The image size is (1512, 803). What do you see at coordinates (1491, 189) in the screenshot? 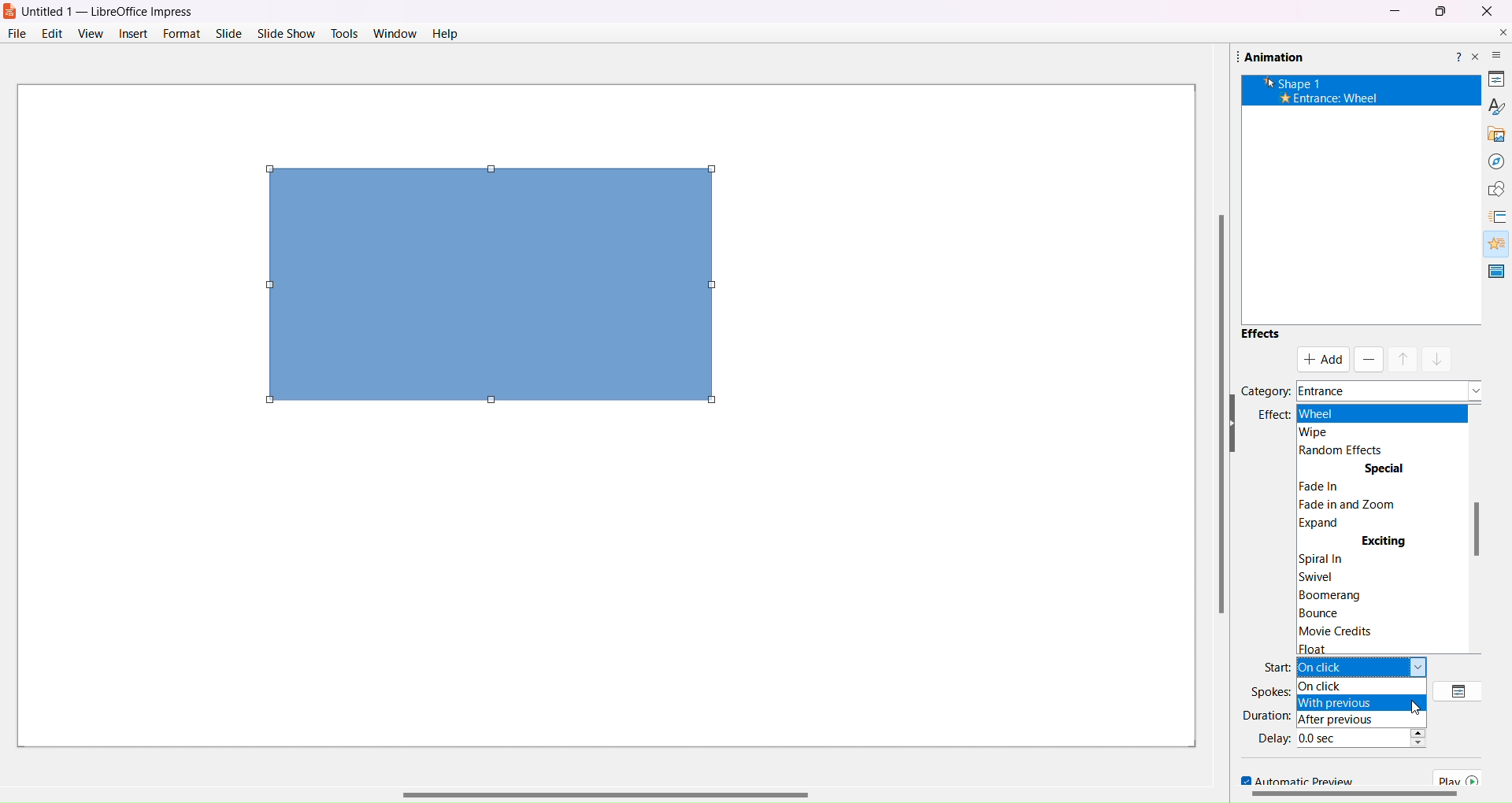
I see `Shapes` at bounding box center [1491, 189].